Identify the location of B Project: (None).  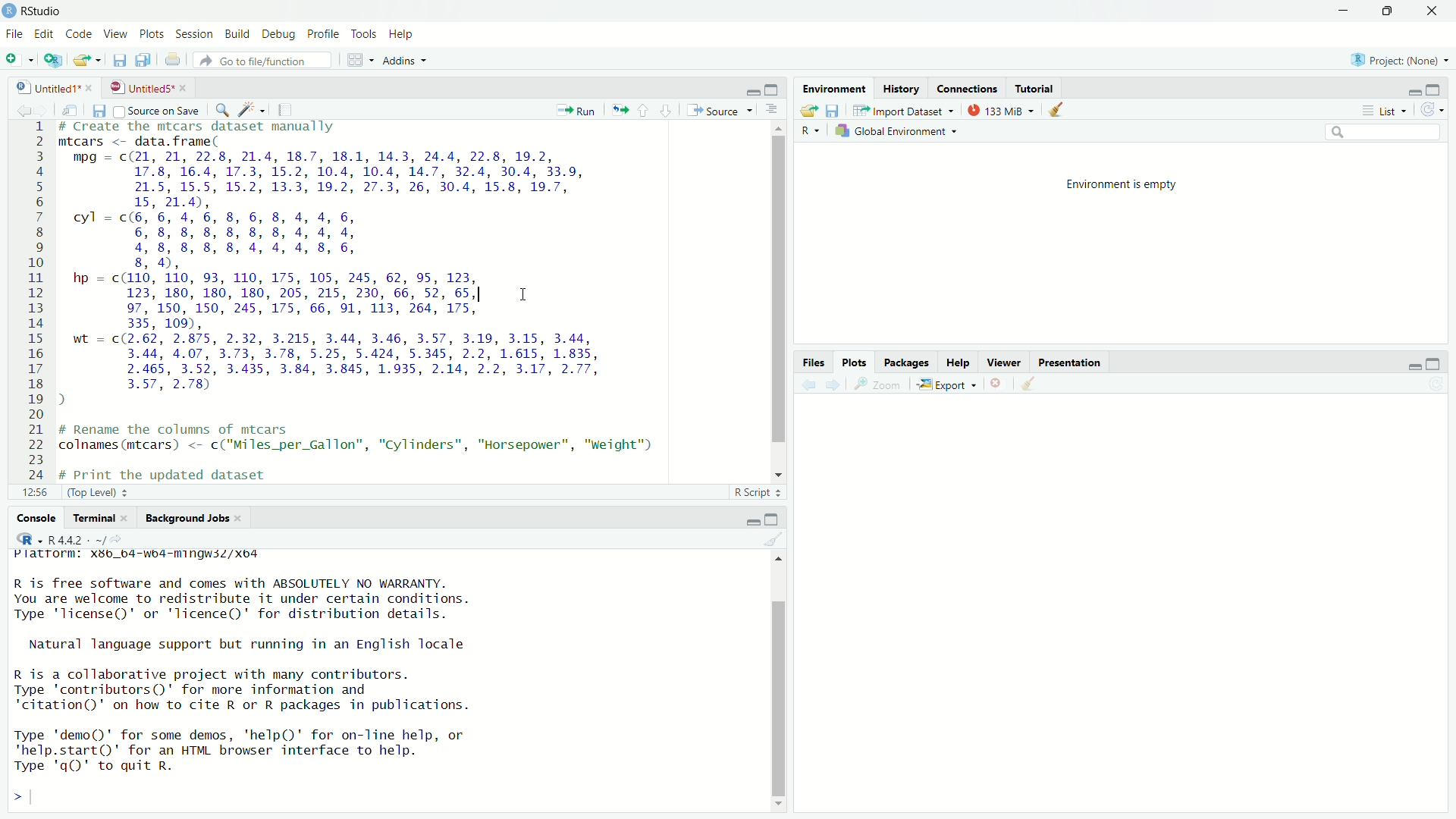
(1396, 61).